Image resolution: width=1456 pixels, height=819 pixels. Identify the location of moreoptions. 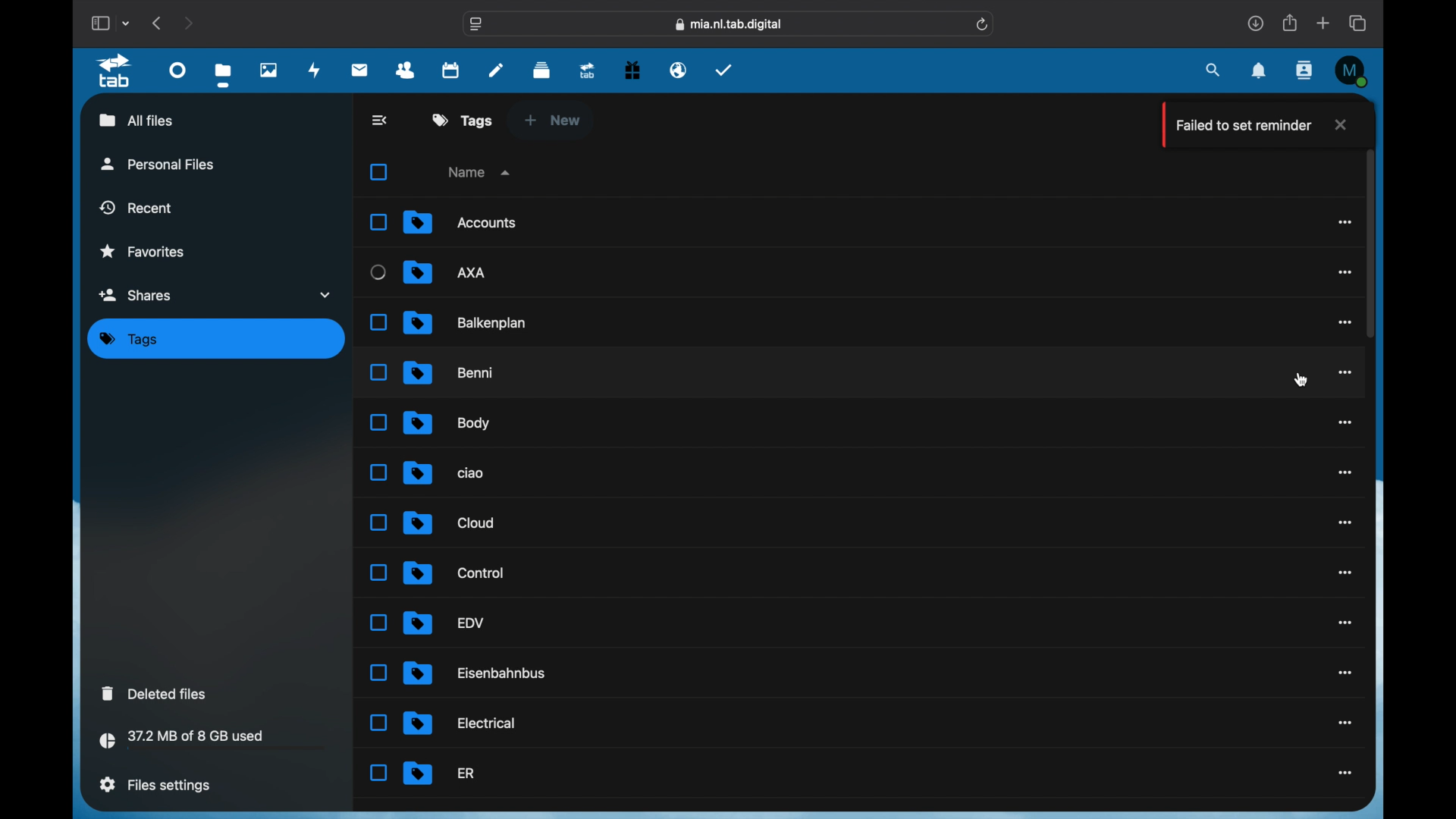
(1345, 523).